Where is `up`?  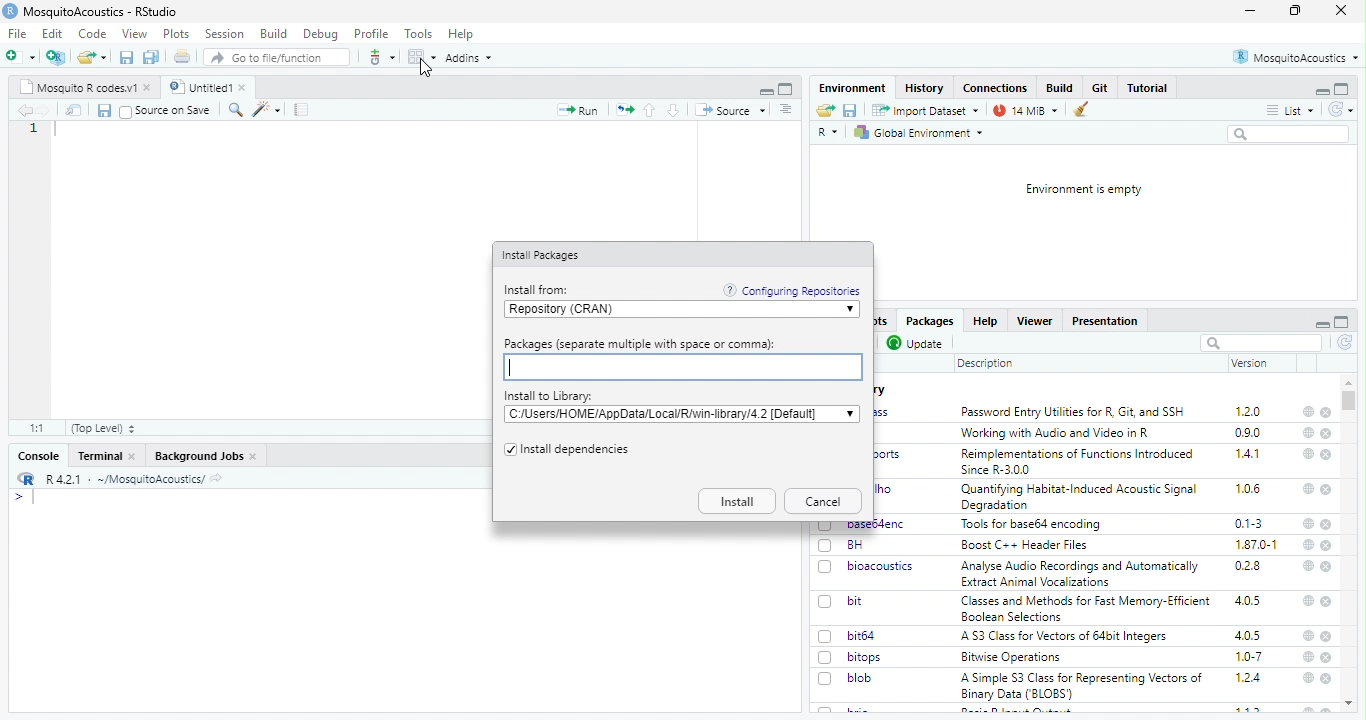 up is located at coordinates (651, 110).